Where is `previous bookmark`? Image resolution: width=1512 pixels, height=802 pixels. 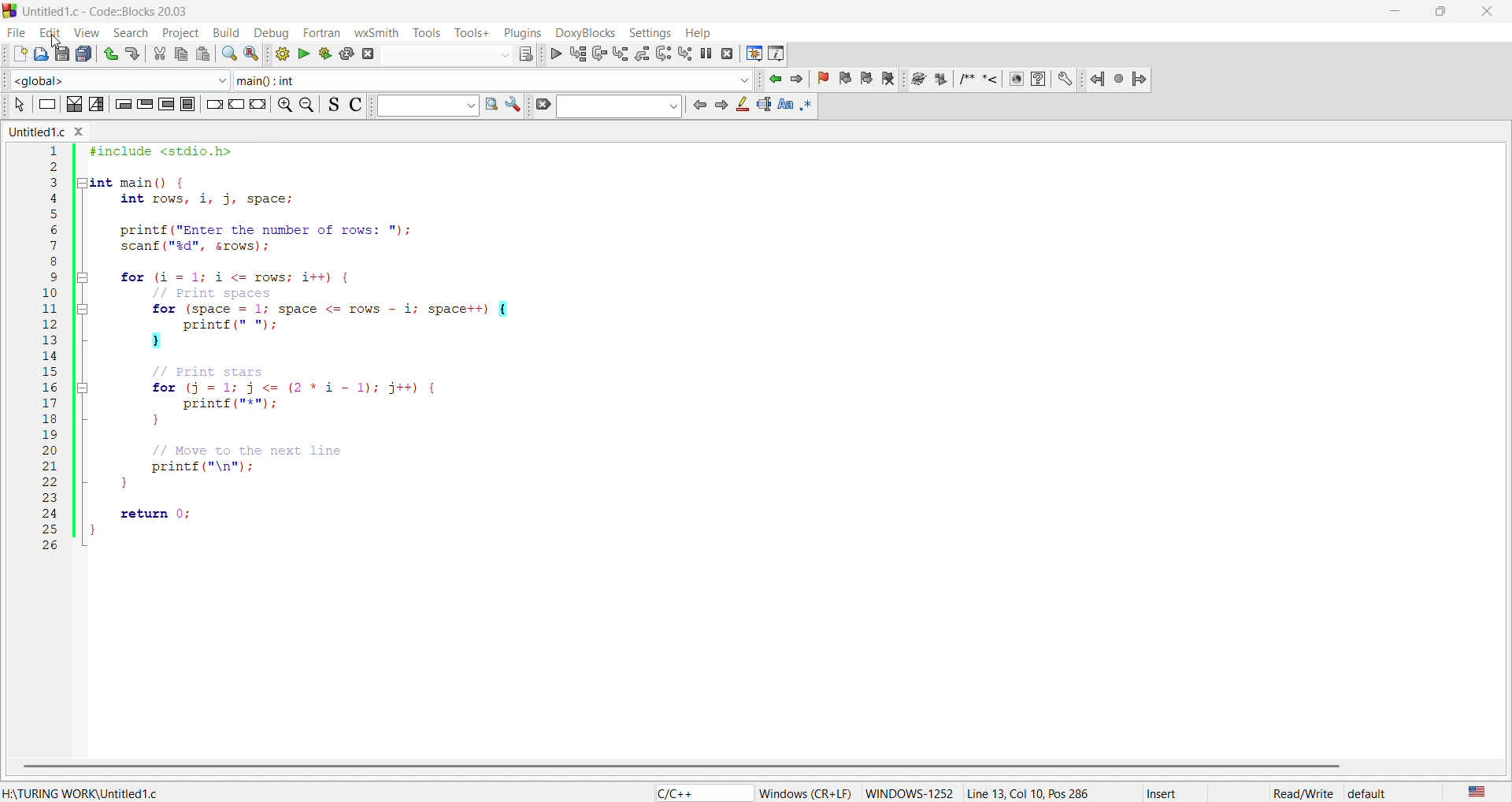 previous bookmark is located at coordinates (844, 80).